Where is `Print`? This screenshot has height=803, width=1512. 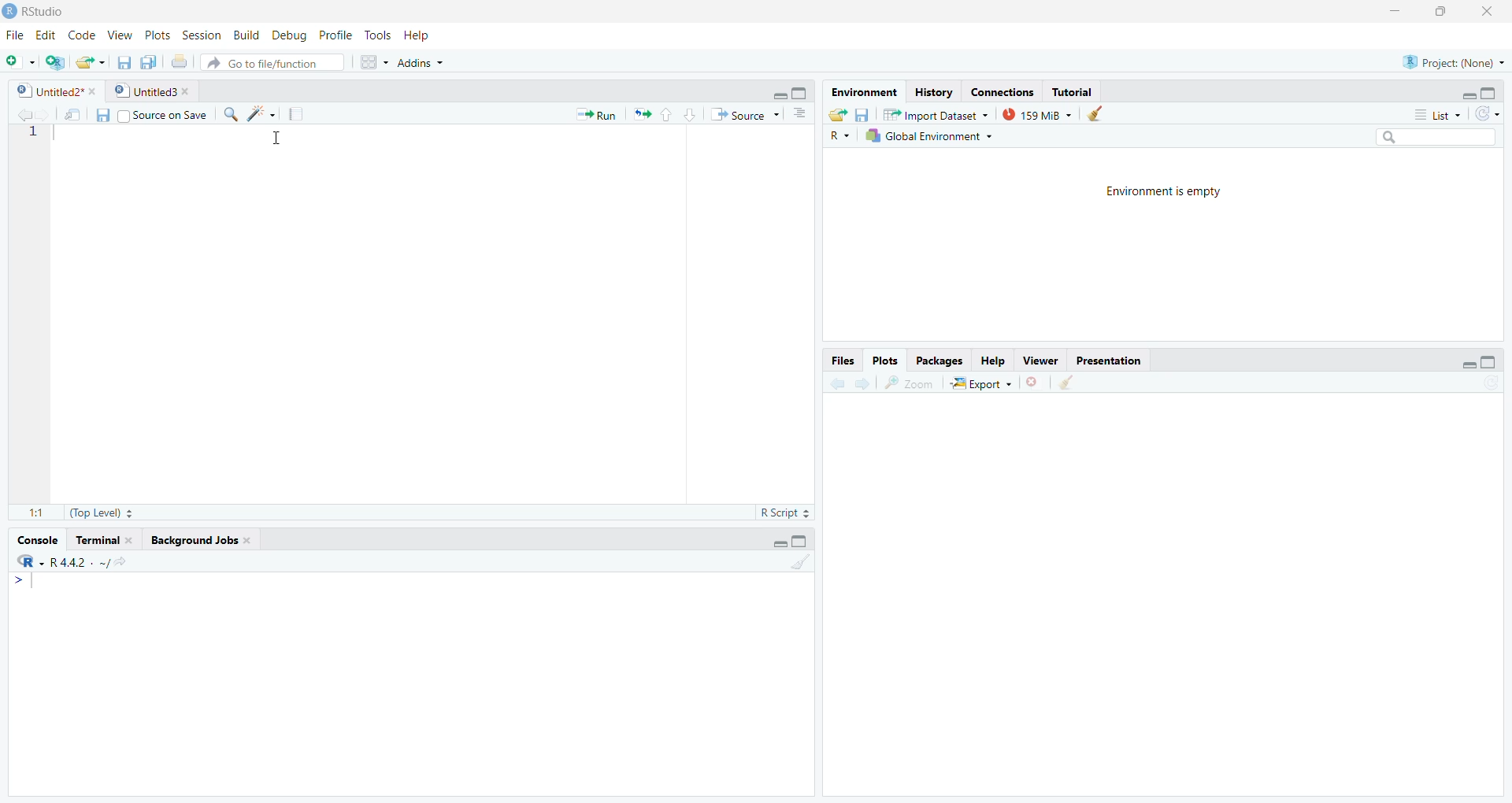
Print is located at coordinates (179, 62).